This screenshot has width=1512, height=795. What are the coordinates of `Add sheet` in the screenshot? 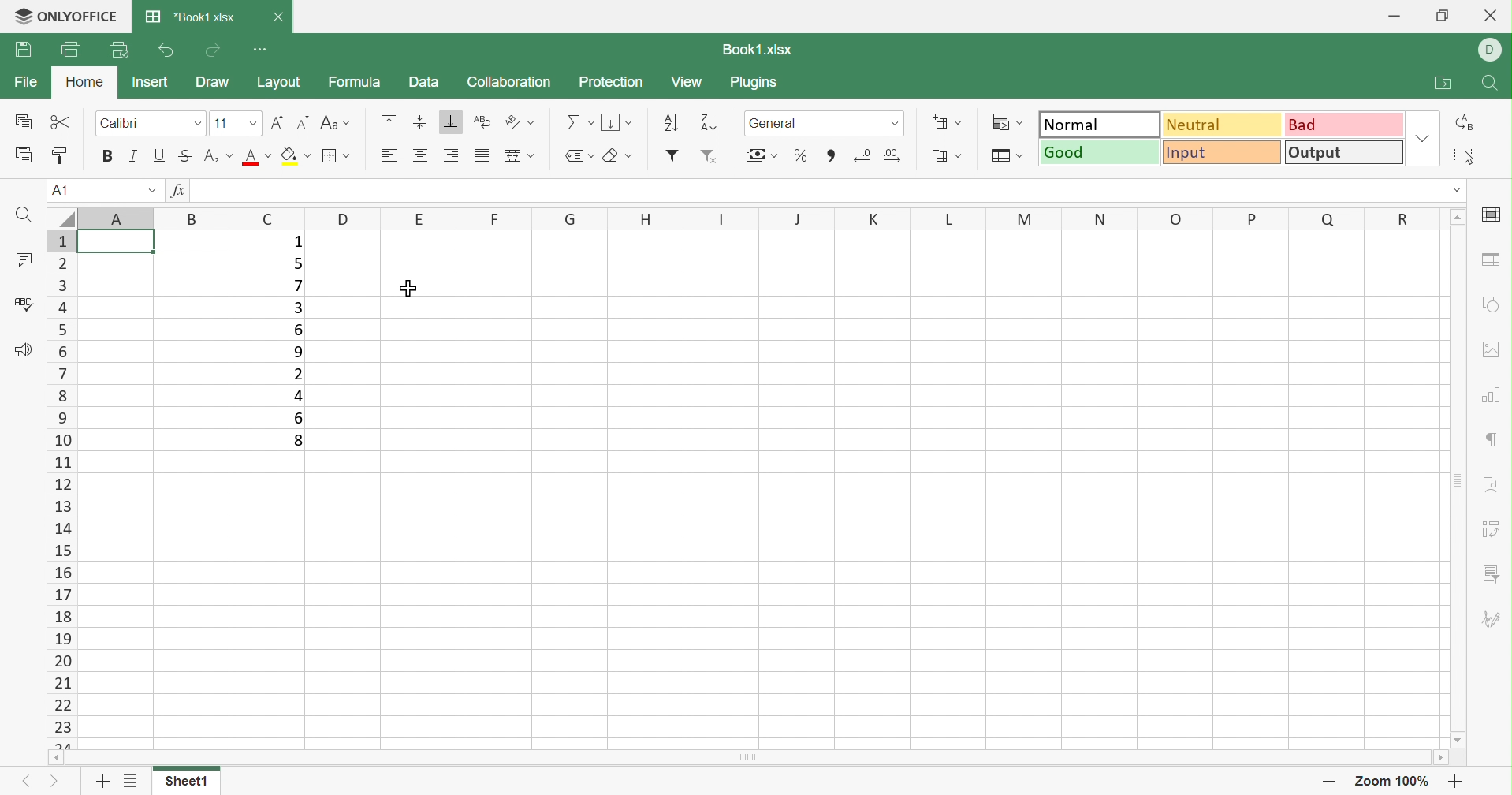 It's located at (102, 783).